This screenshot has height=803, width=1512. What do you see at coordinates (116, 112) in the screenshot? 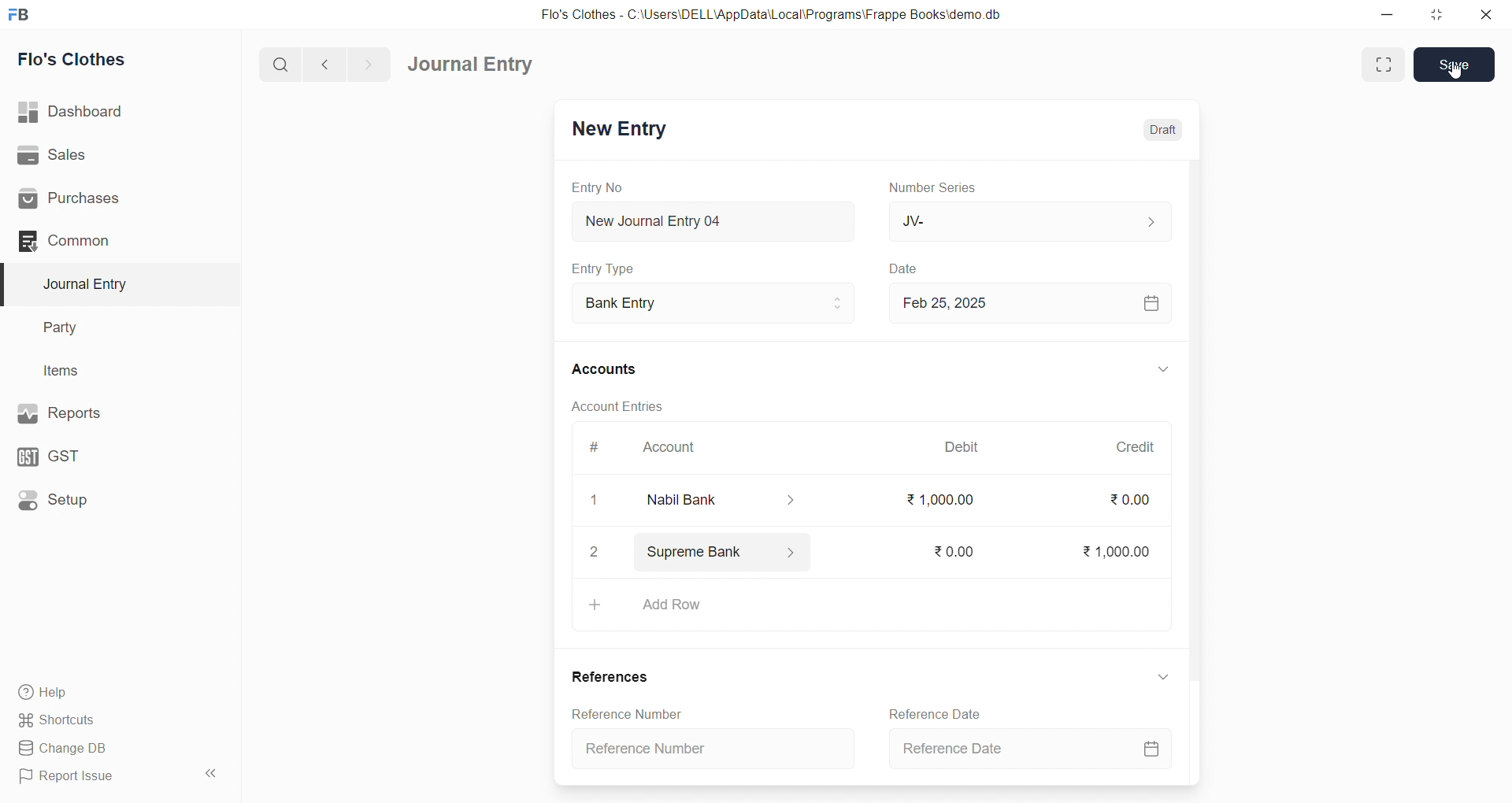
I see `Dashboard` at bounding box center [116, 112].